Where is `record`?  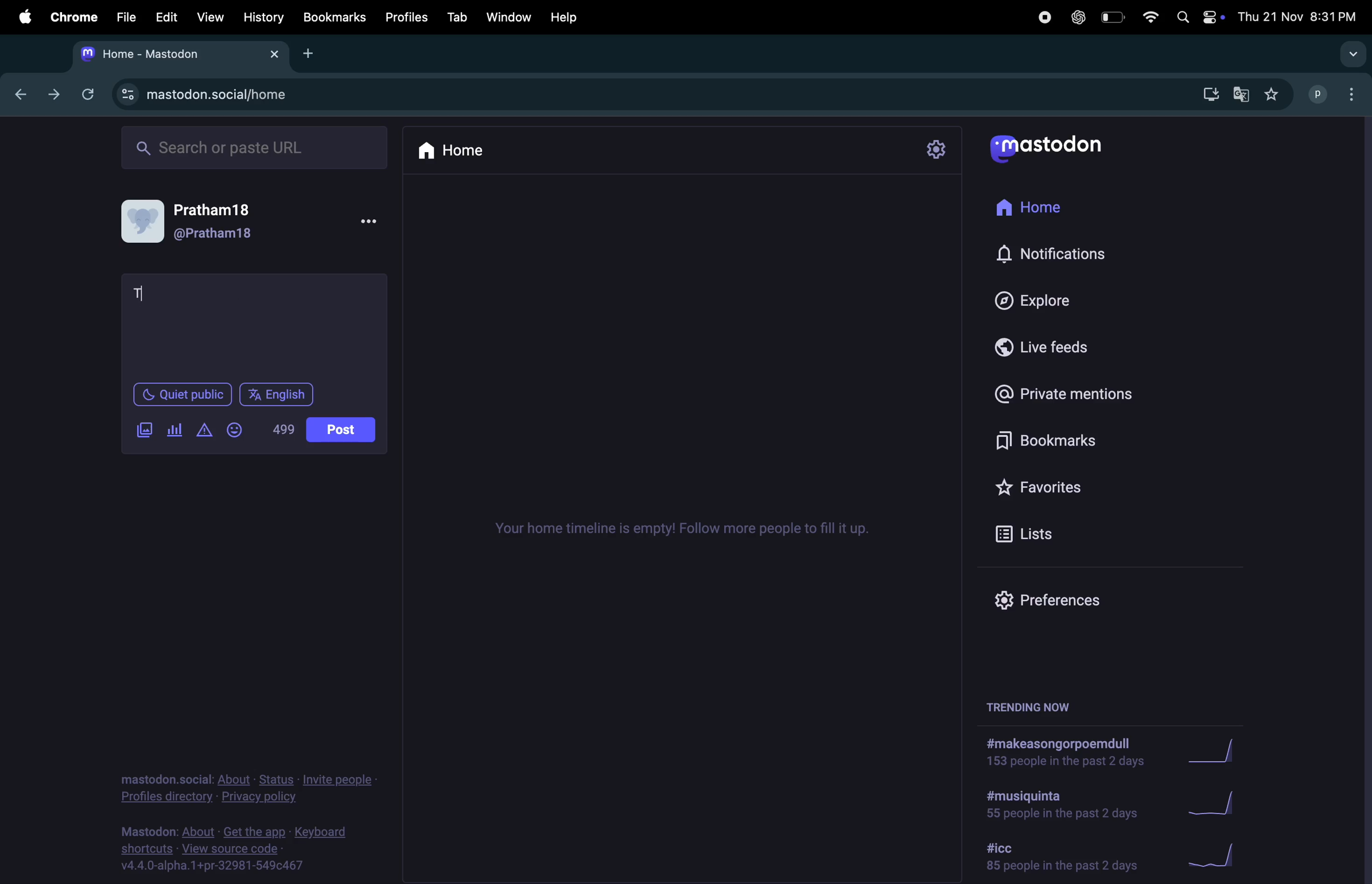
record is located at coordinates (1040, 15).